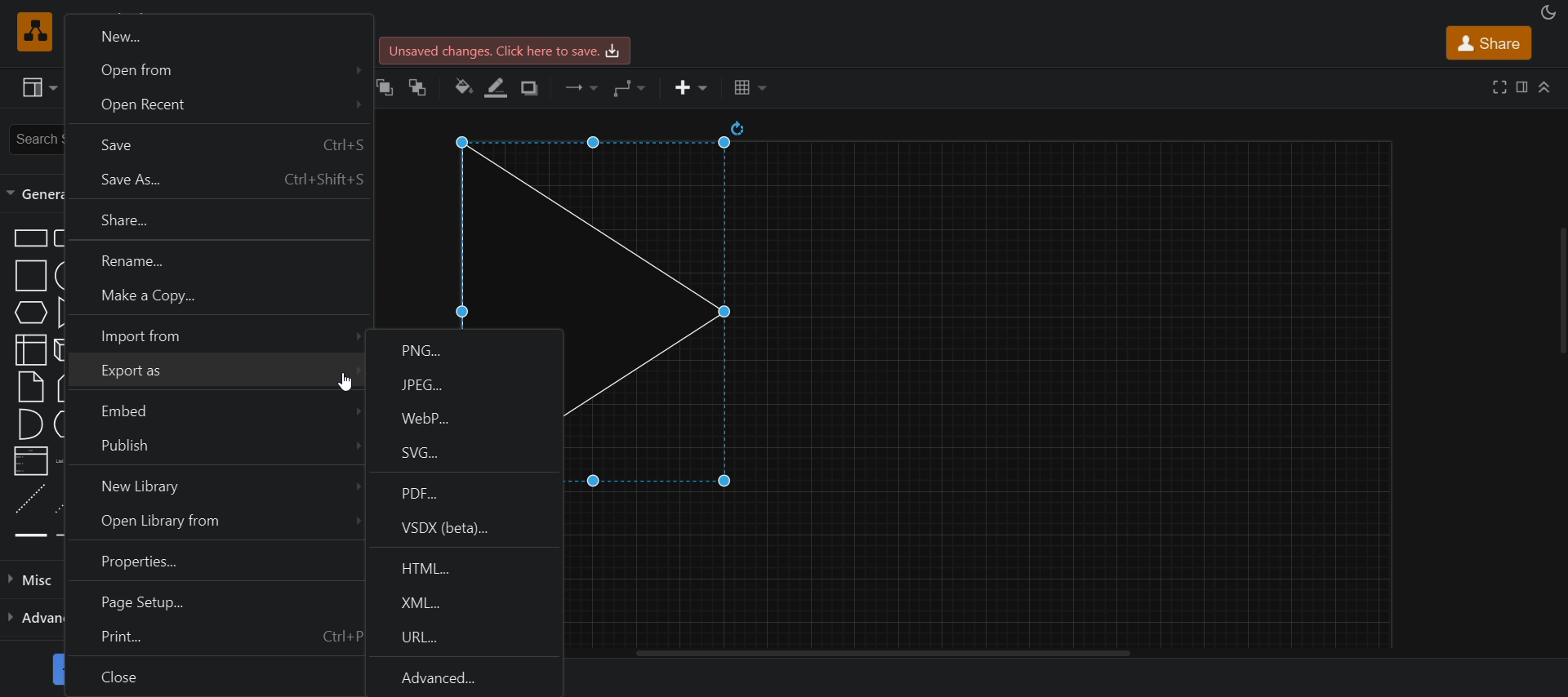 This screenshot has height=697, width=1568. Describe the element at coordinates (32, 275) in the screenshot. I see `square` at that location.